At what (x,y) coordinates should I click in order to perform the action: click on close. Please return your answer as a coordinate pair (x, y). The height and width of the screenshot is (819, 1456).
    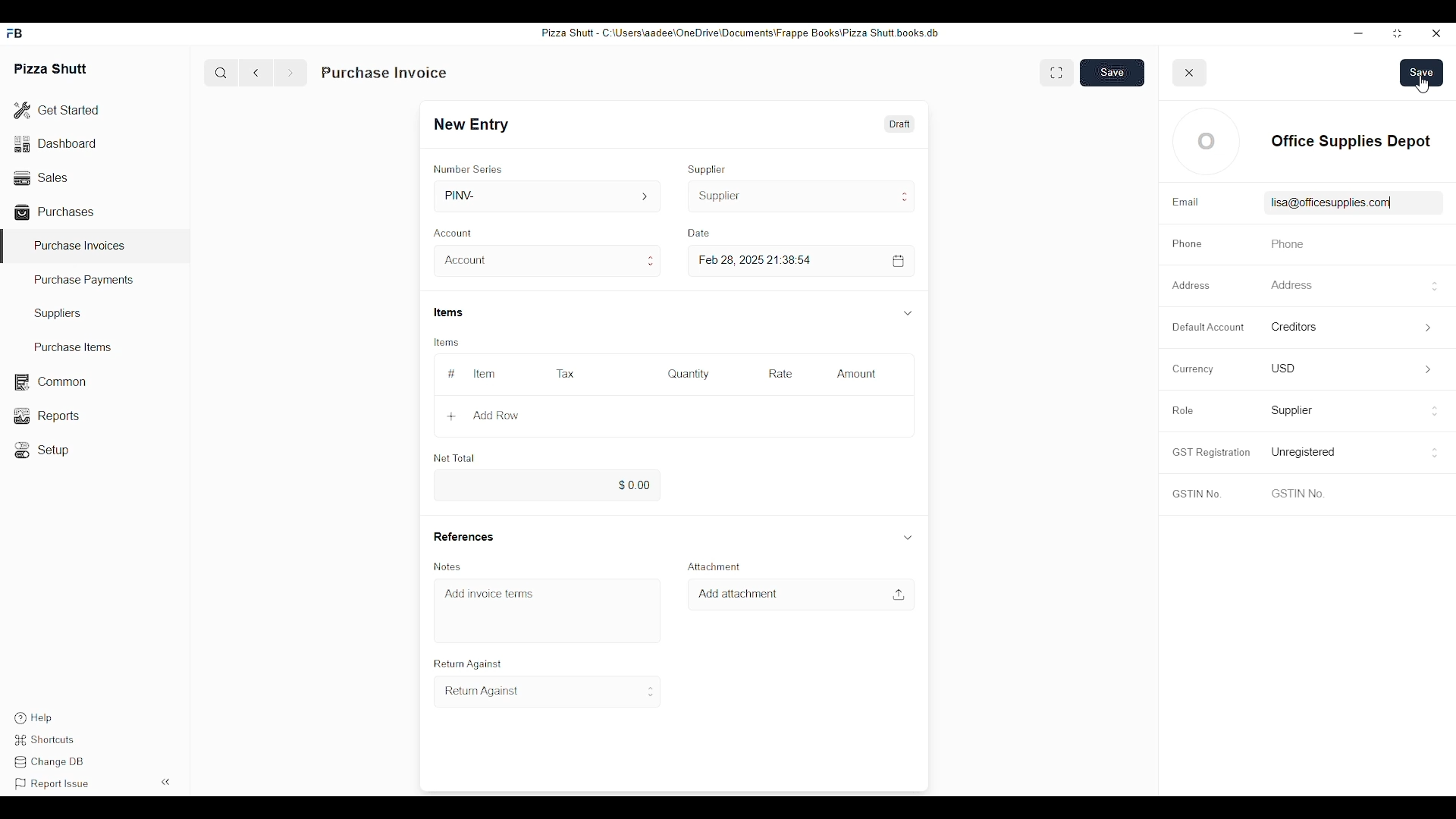
    Looking at the image, I should click on (1437, 34).